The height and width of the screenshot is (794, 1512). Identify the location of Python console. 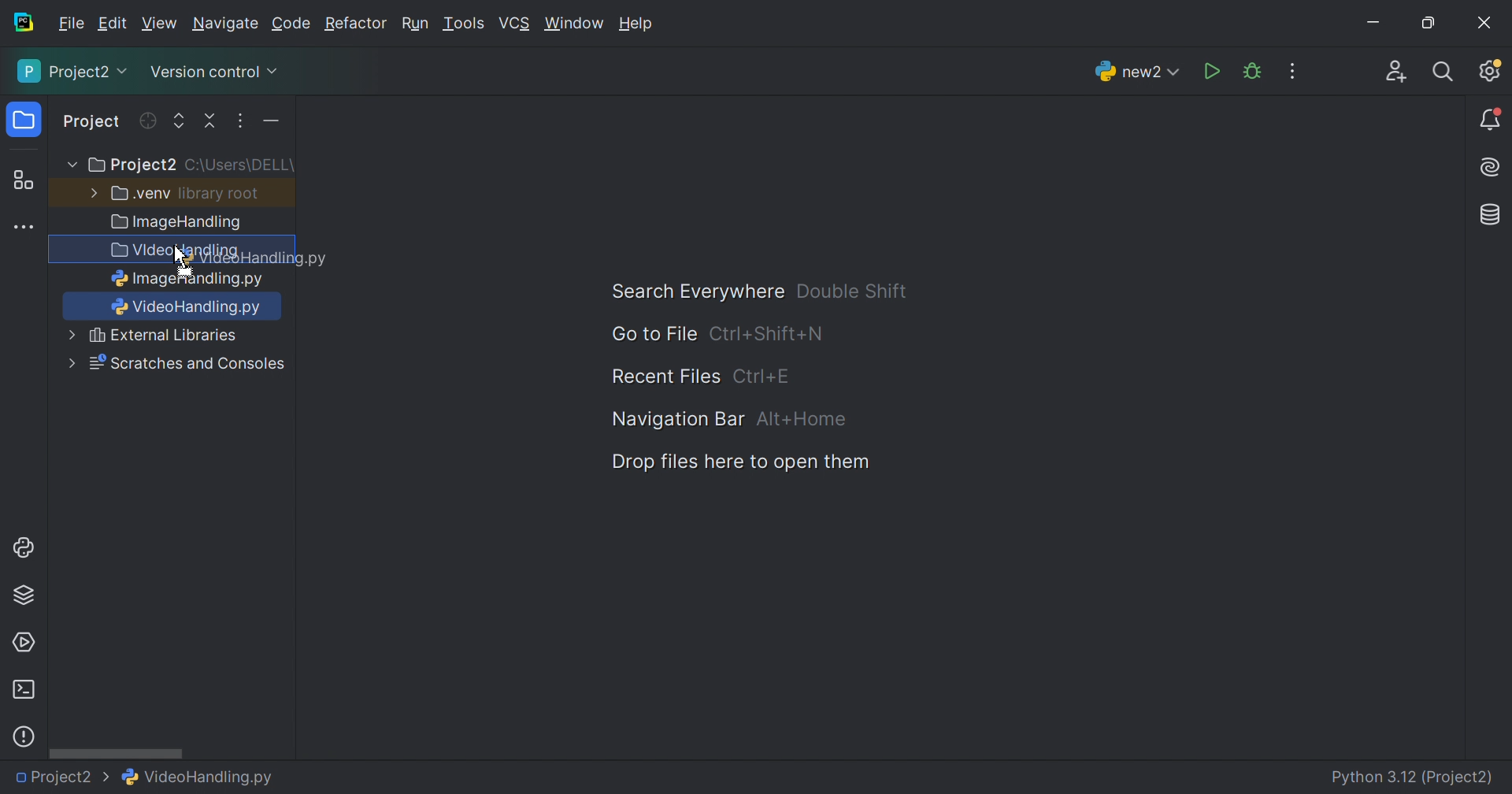
(26, 547).